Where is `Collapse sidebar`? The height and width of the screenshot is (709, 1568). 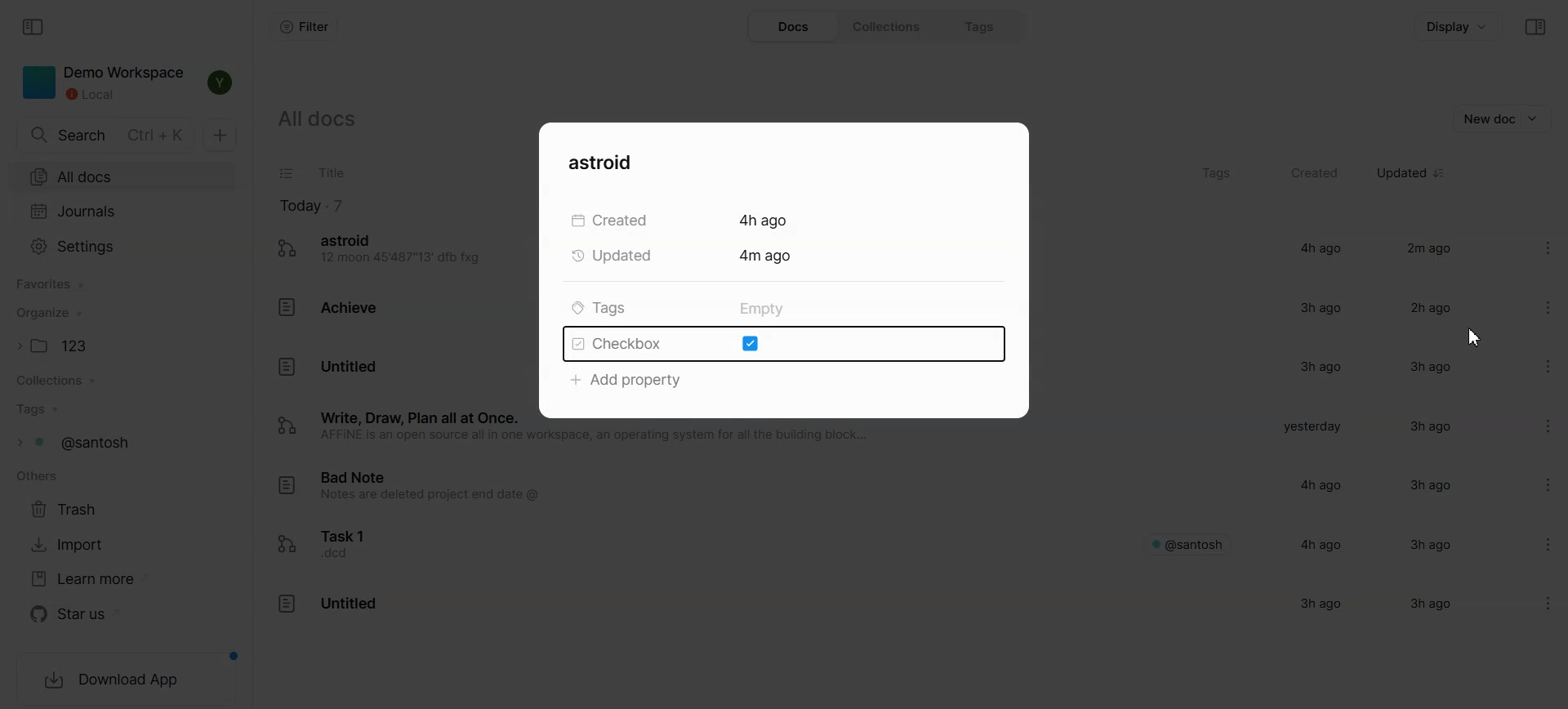
Collapse sidebar is located at coordinates (35, 27).